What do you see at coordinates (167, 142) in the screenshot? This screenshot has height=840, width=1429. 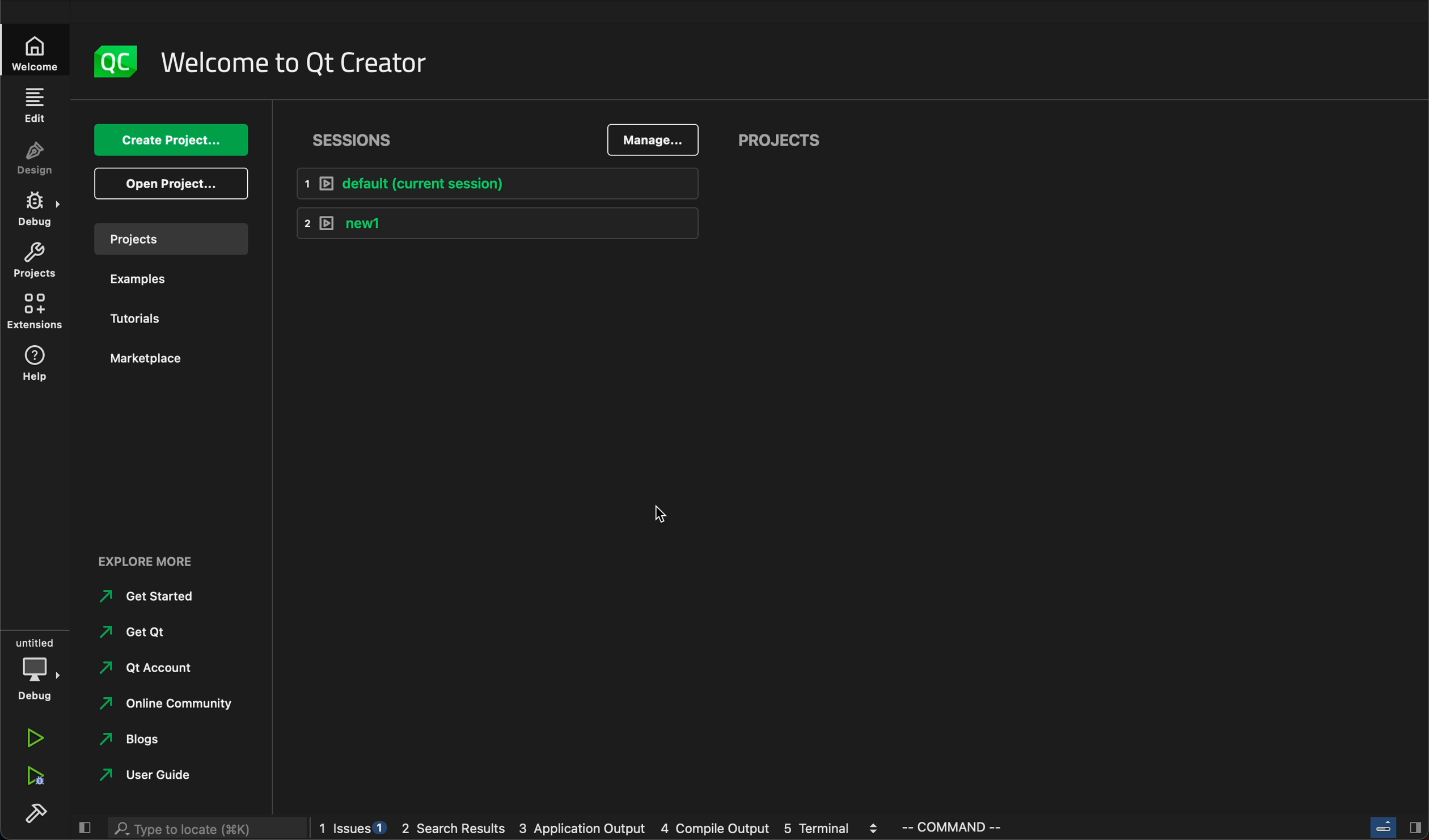 I see `create` at bounding box center [167, 142].